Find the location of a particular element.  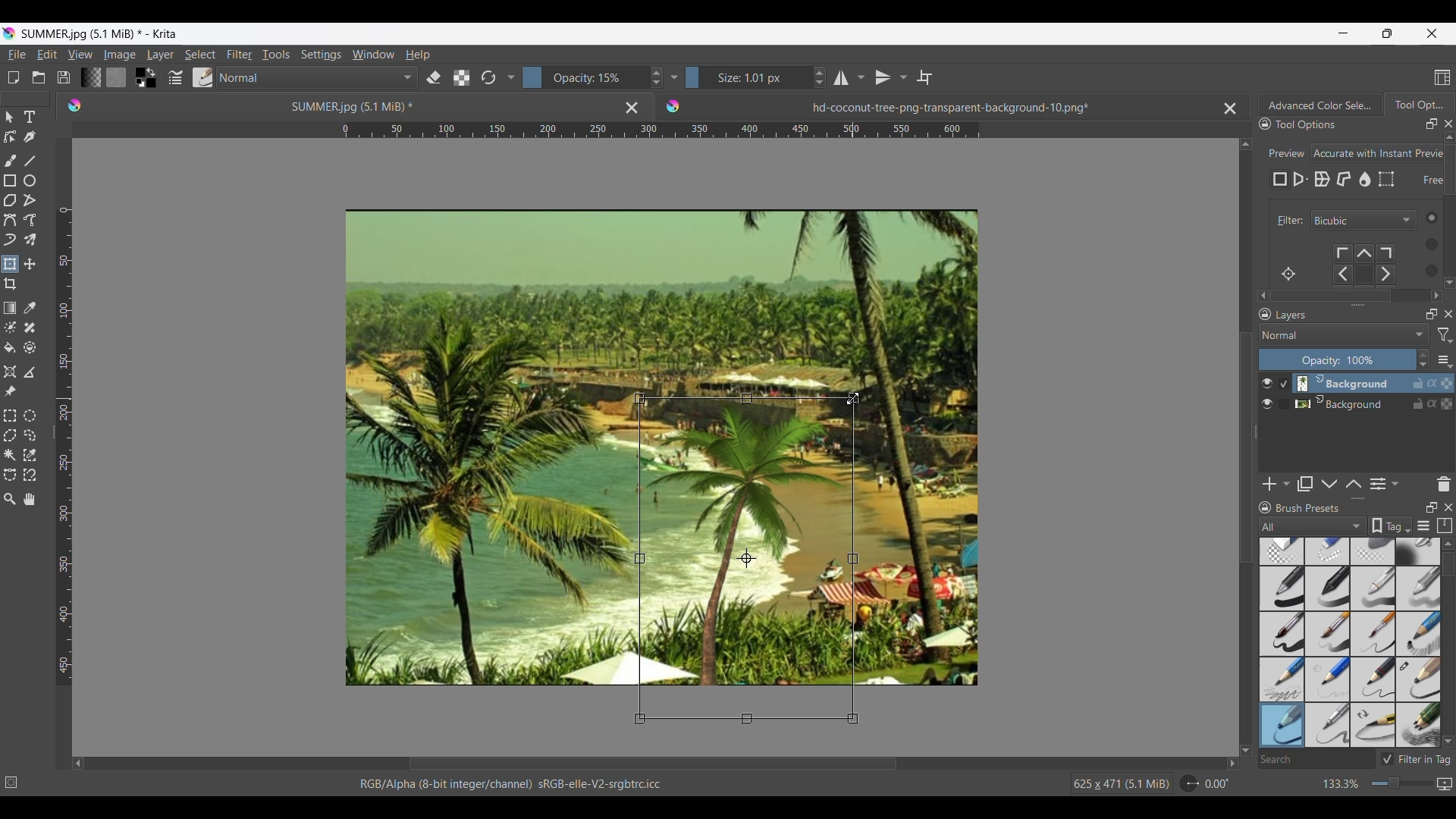

basic1 is located at coordinates (1281, 588).